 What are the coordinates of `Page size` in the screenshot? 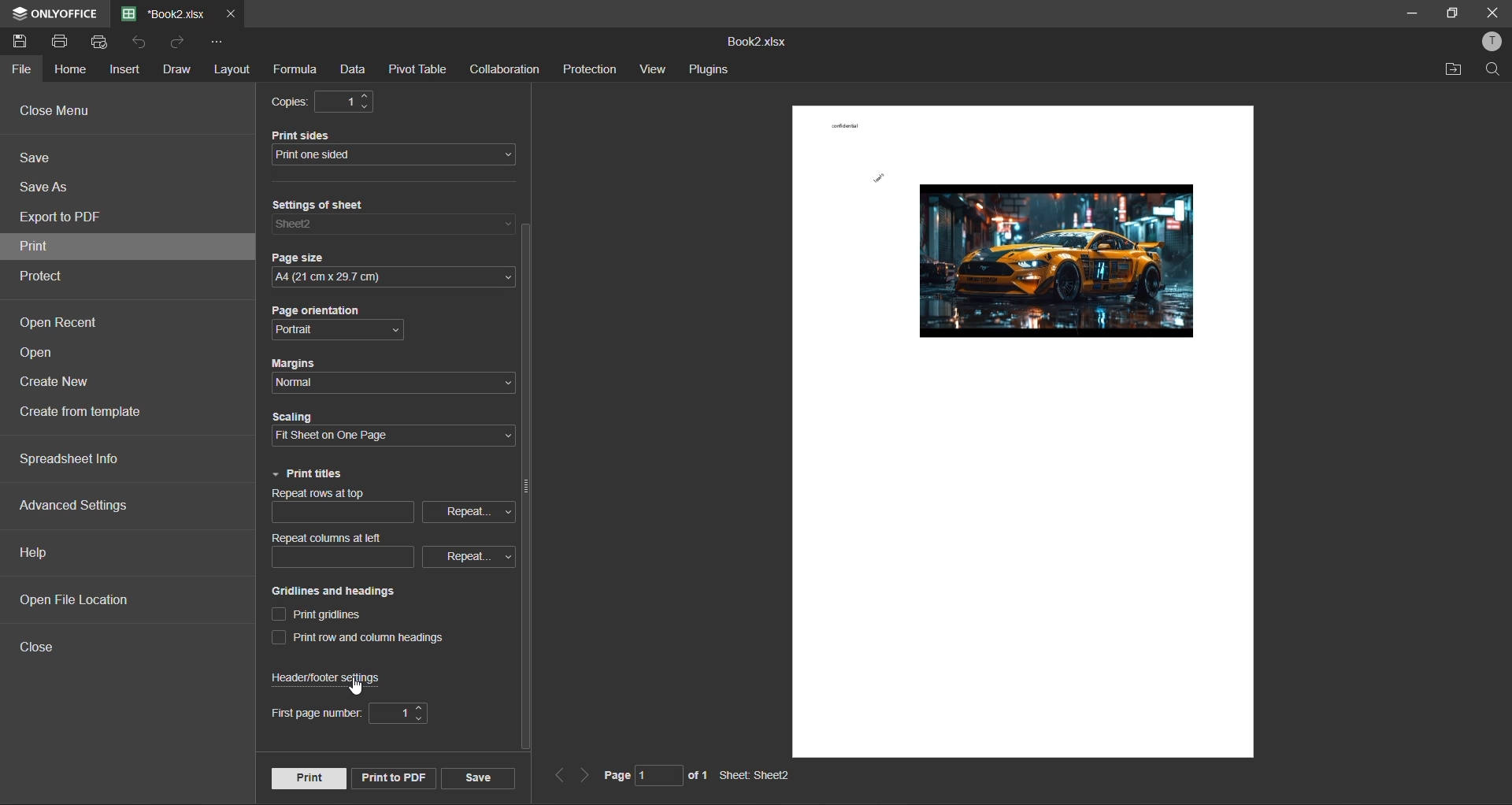 It's located at (299, 257).